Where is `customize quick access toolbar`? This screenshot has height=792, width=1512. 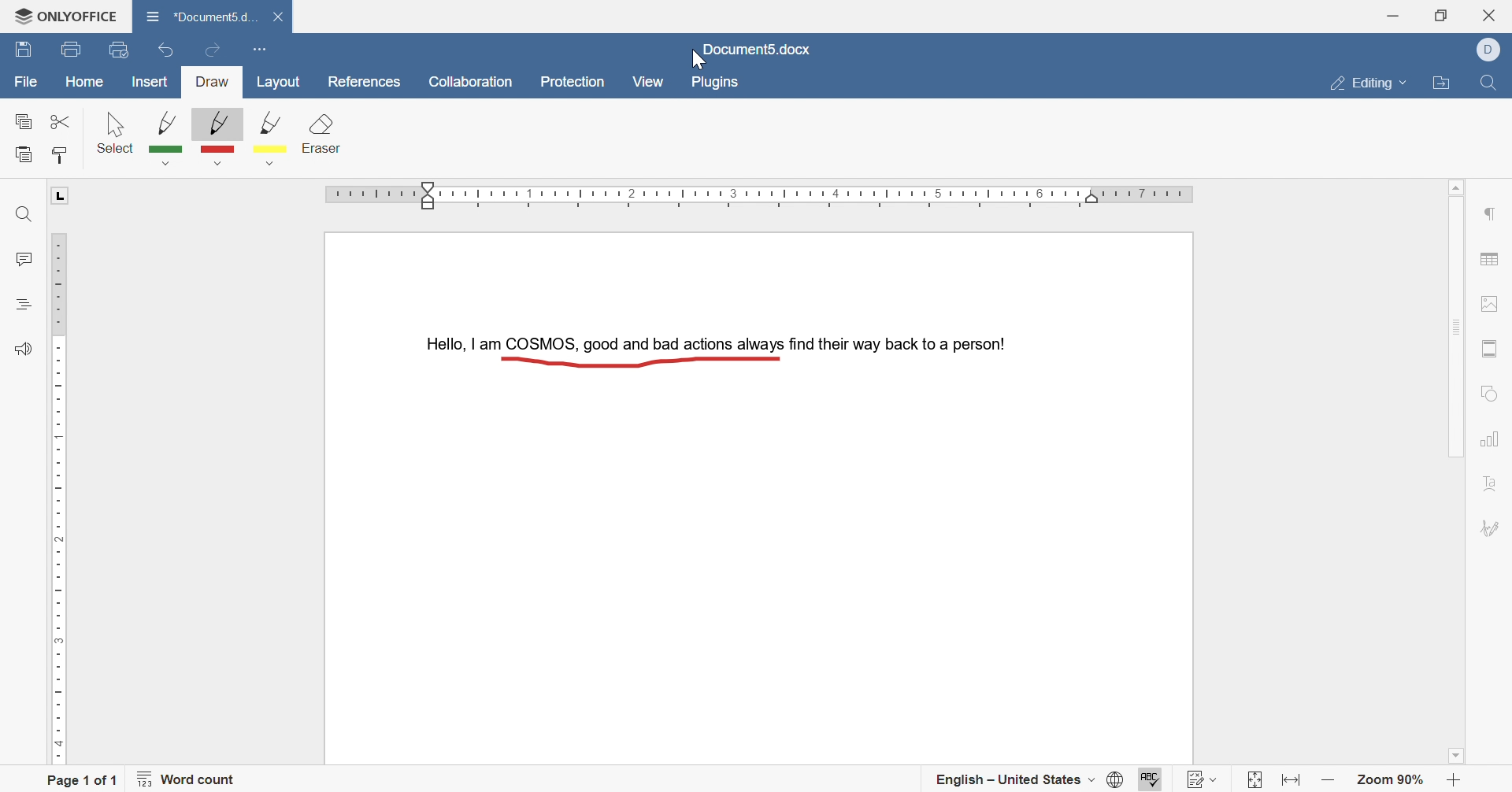 customize quick access toolbar is located at coordinates (258, 47).